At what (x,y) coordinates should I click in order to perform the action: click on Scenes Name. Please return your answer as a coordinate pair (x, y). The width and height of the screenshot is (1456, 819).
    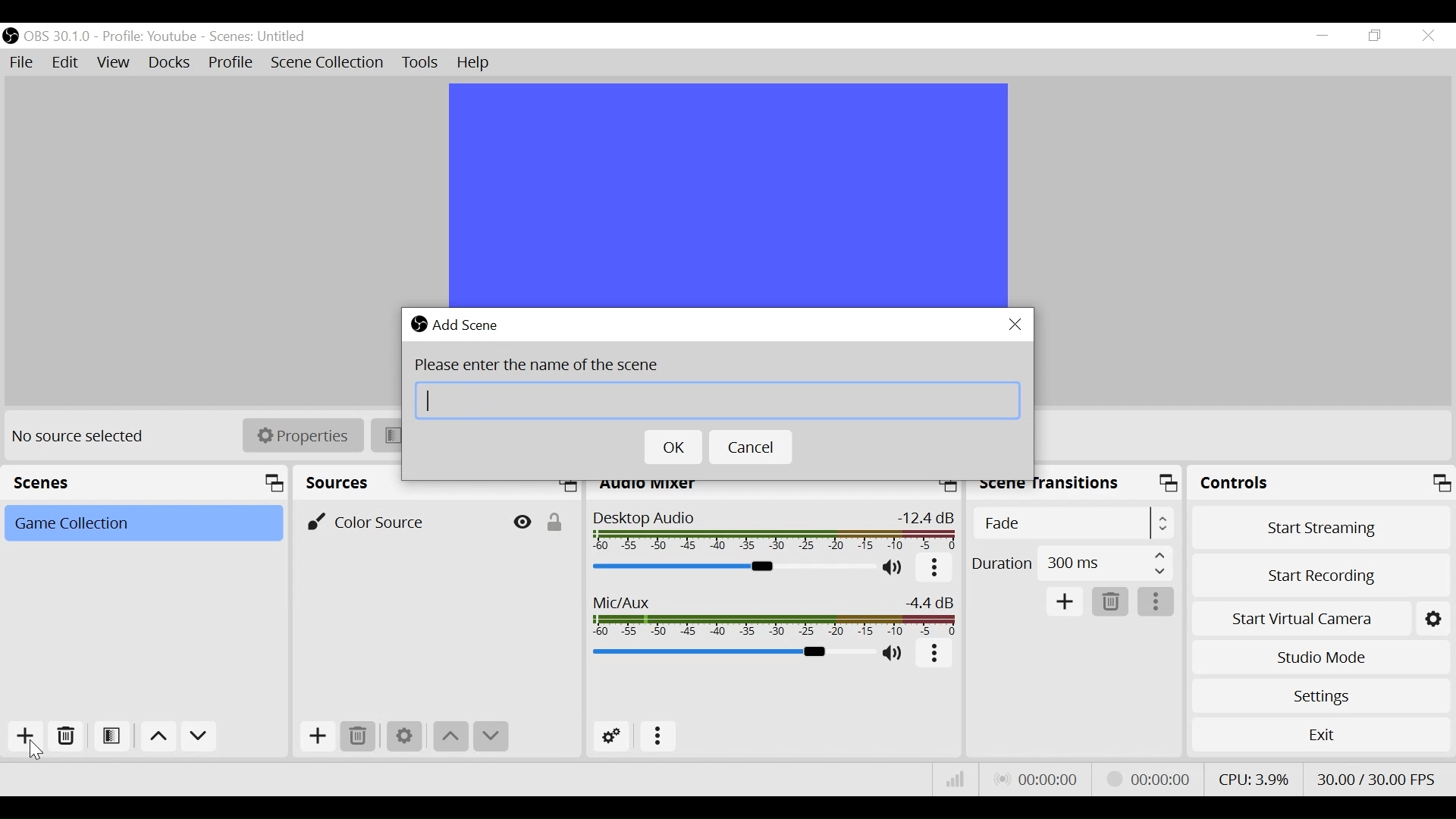
    Looking at the image, I should click on (262, 36).